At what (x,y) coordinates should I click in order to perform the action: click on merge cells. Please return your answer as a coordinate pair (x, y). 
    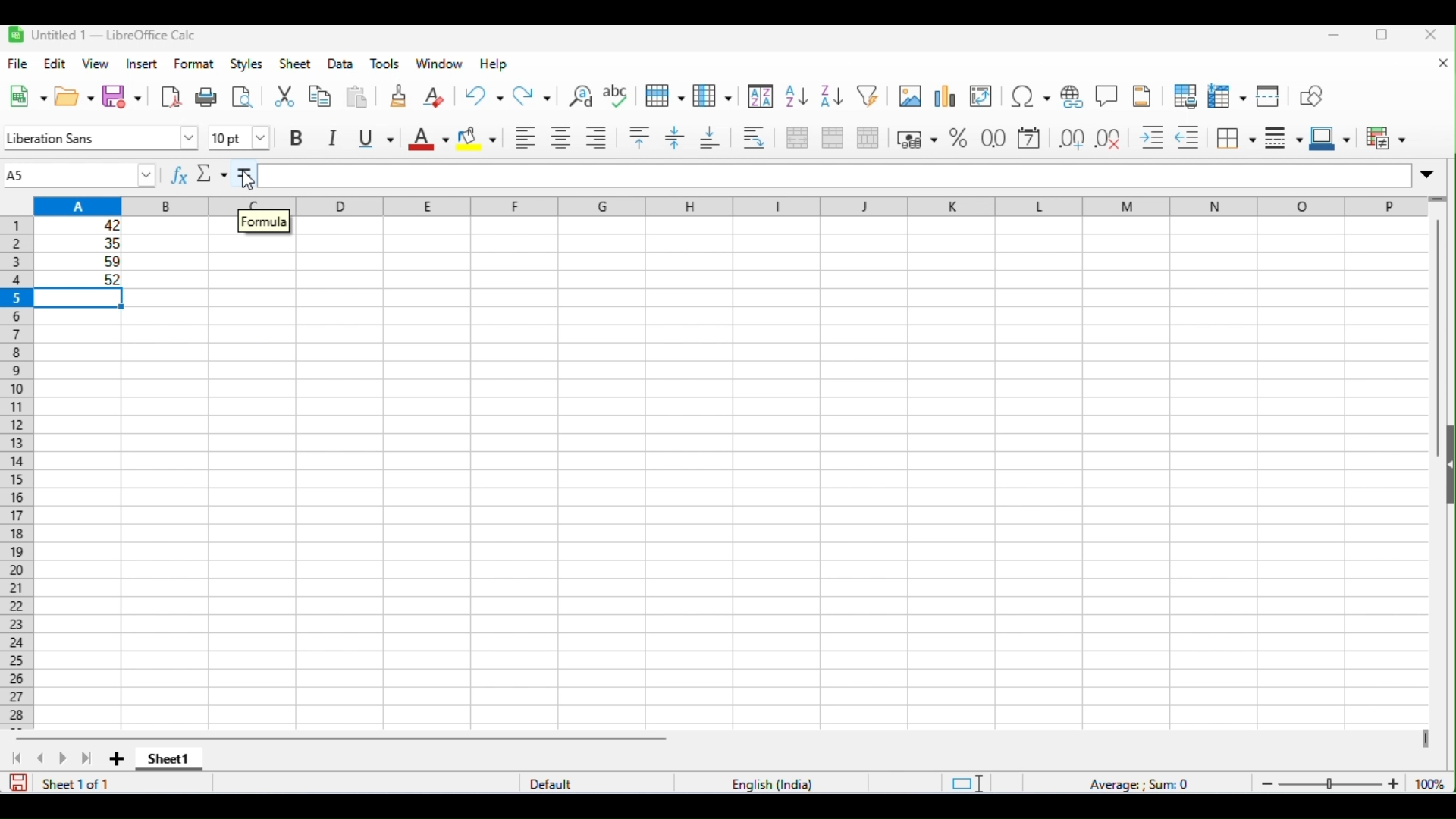
    Looking at the image, I should click on (832, 137).